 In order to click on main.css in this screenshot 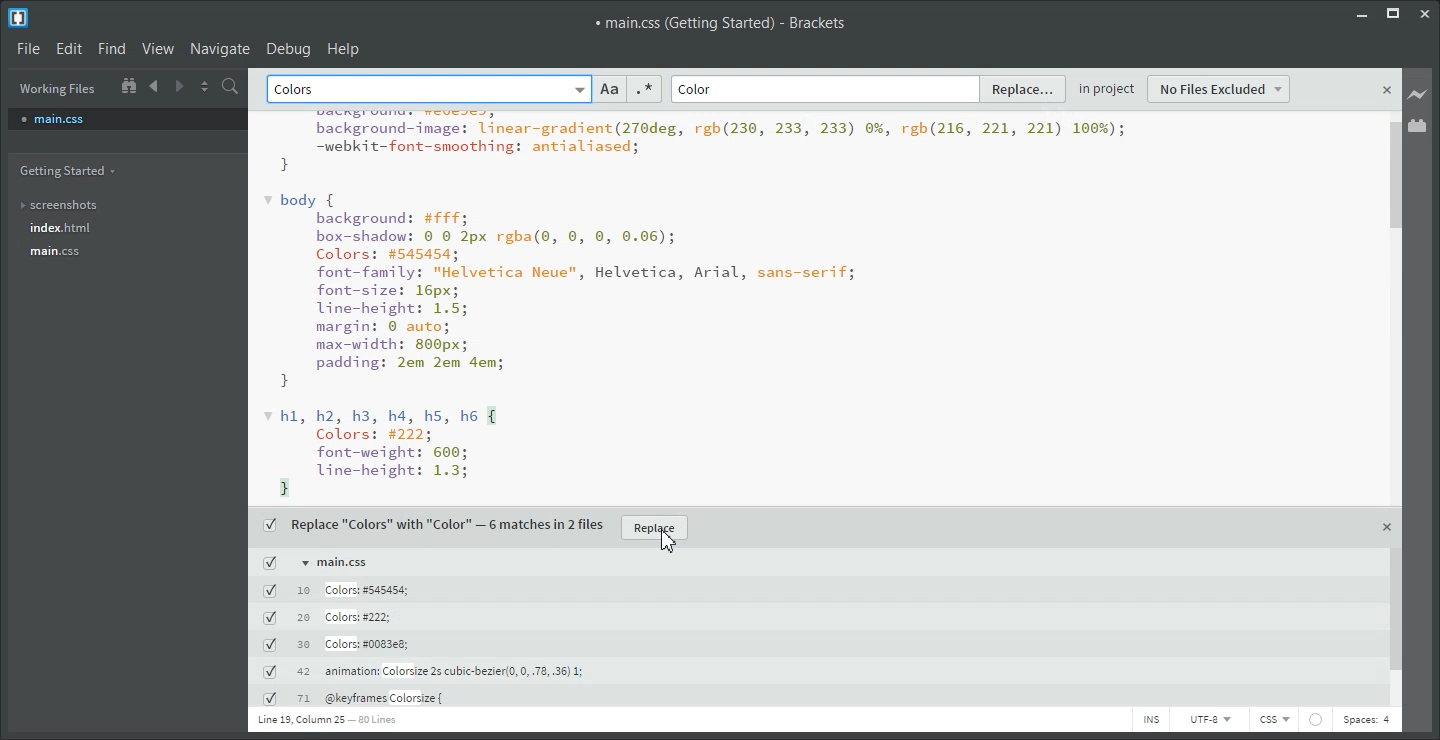, I will do `click(317, 562)`.